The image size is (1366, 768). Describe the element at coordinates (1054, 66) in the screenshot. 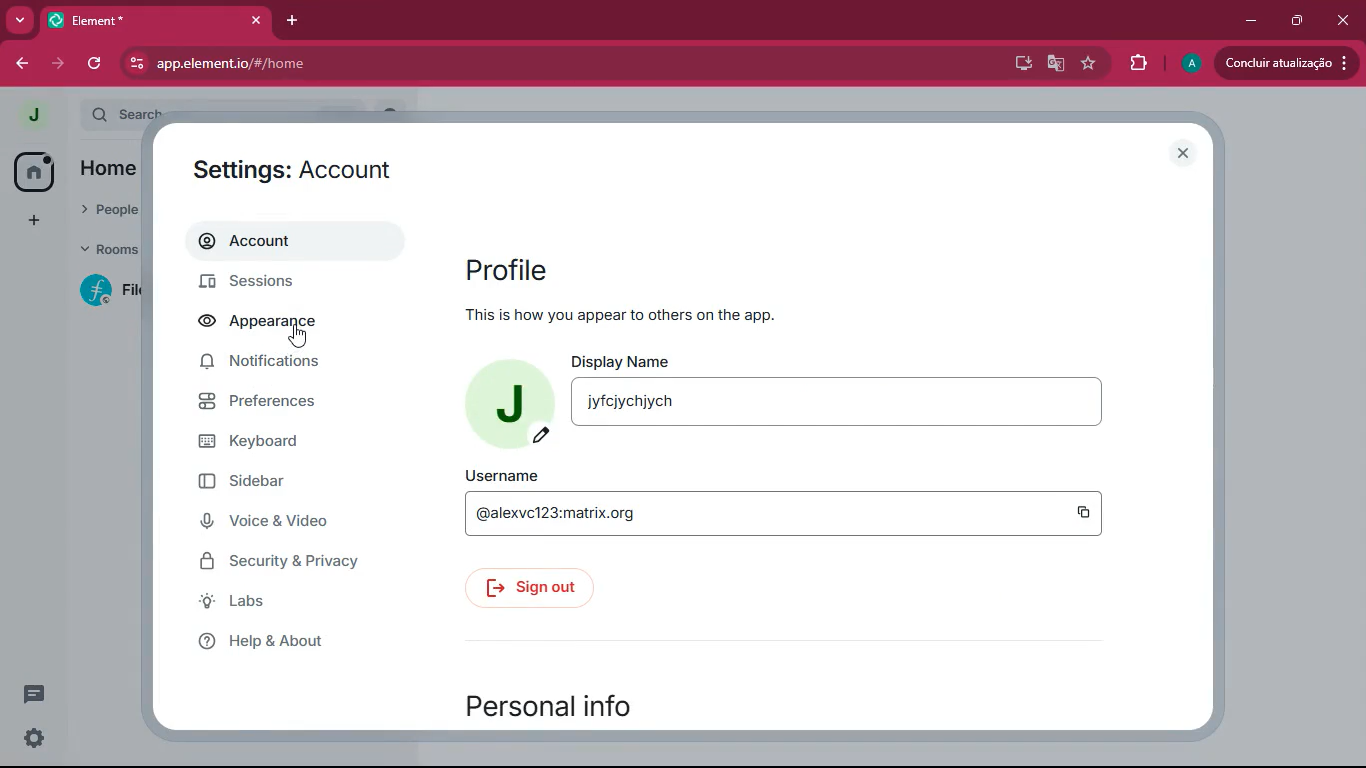

I see `google translate` at that location.